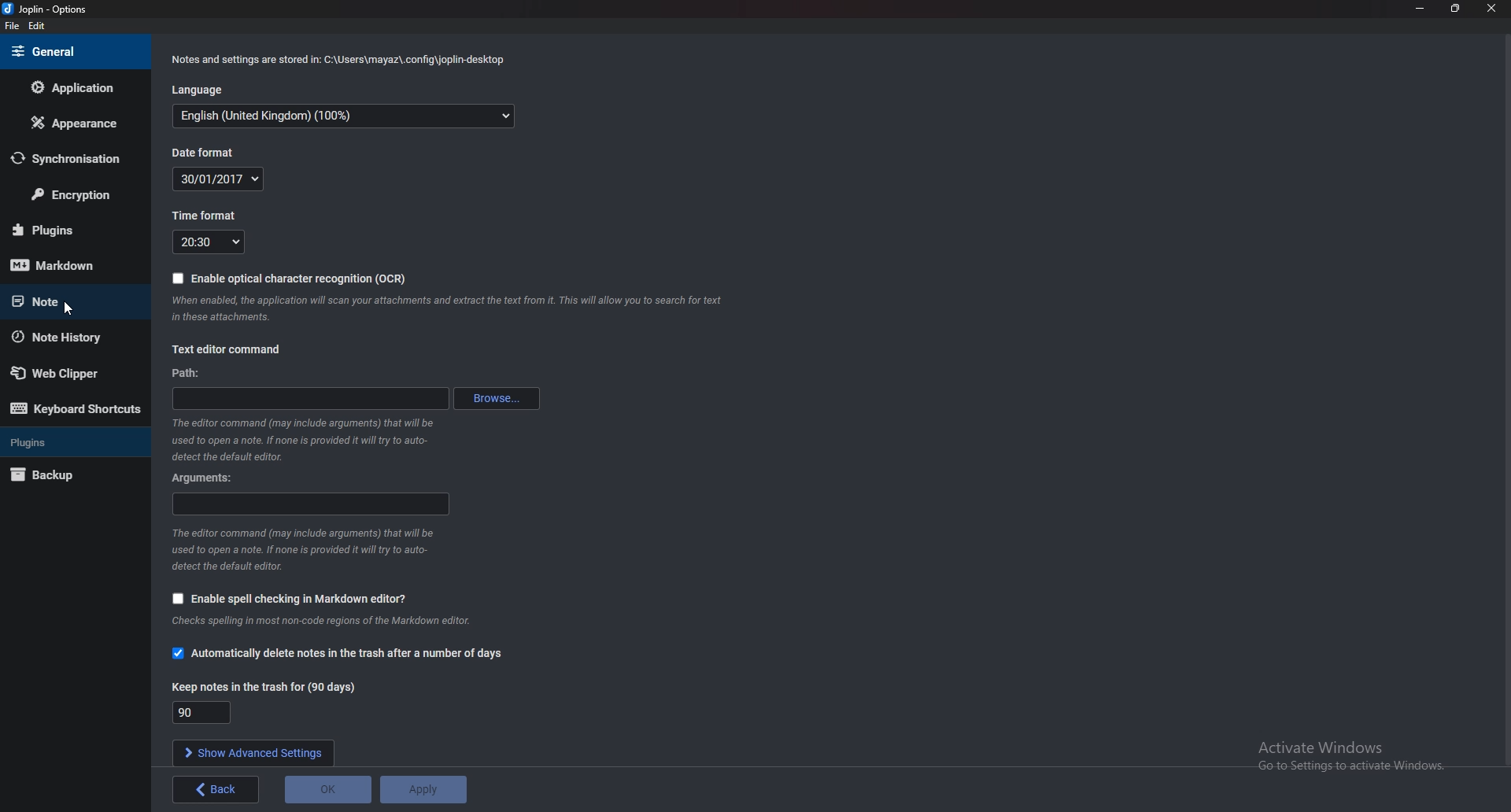  Describe the element at coordinates (79, 87) in the screenshot. I see `Application` at that location.